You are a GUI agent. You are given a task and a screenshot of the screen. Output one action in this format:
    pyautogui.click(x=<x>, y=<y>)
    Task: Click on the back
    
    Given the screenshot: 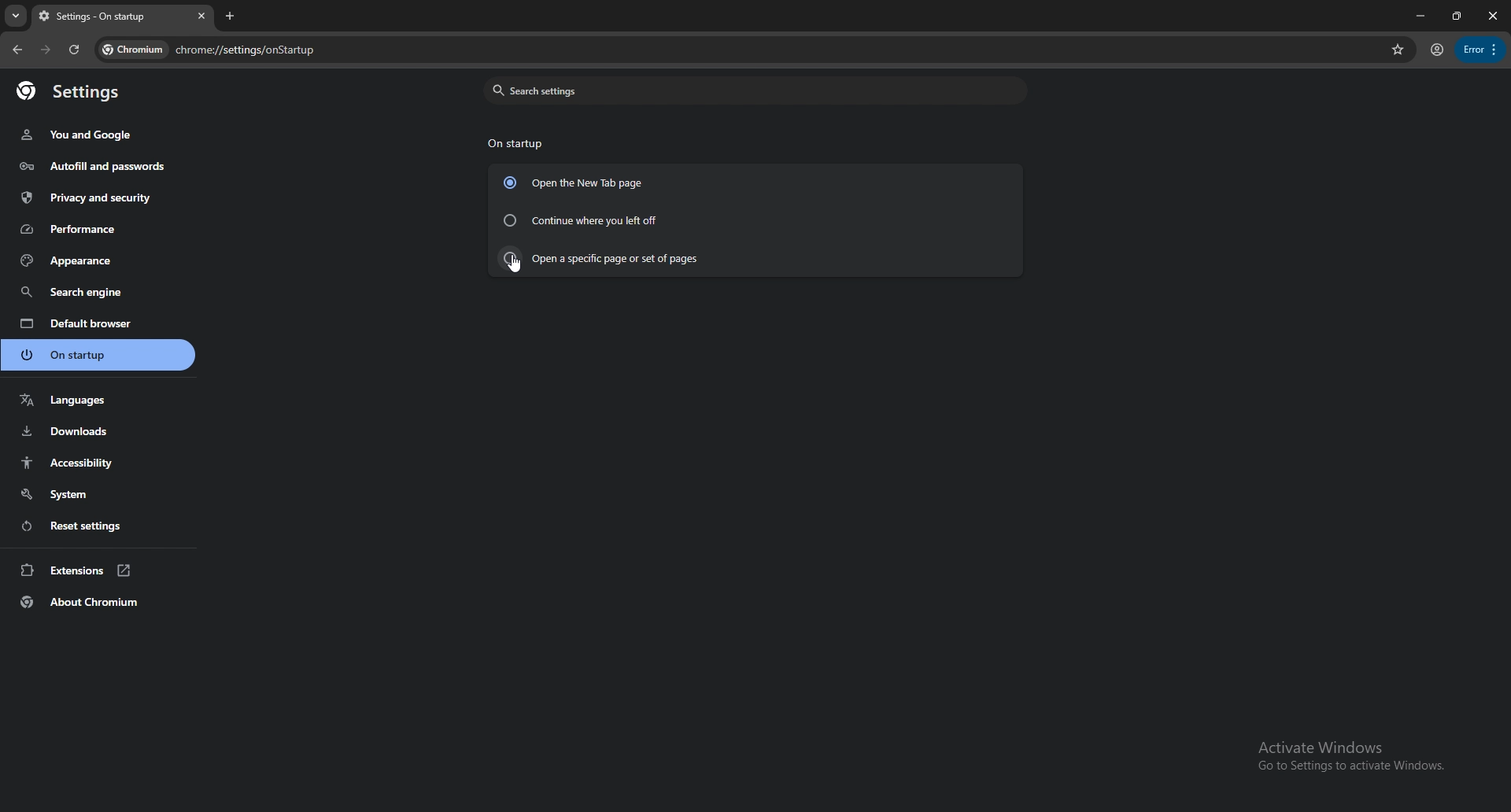 What is the action you would take?
    pyautogui.click(x=17, y=50)
    